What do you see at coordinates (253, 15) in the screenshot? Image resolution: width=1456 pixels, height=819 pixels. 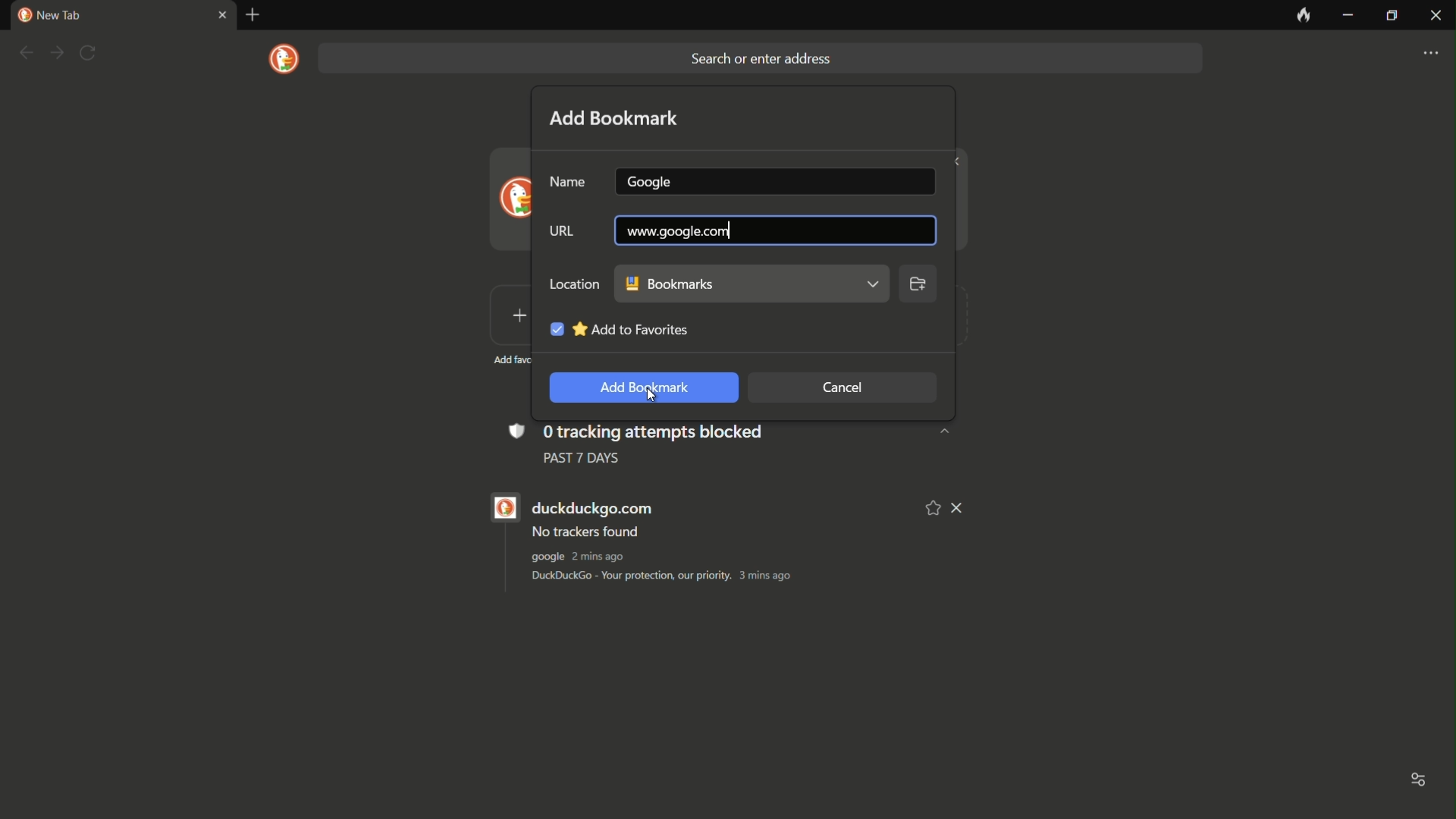 I see `new tab` at bounding box center [253, 15].